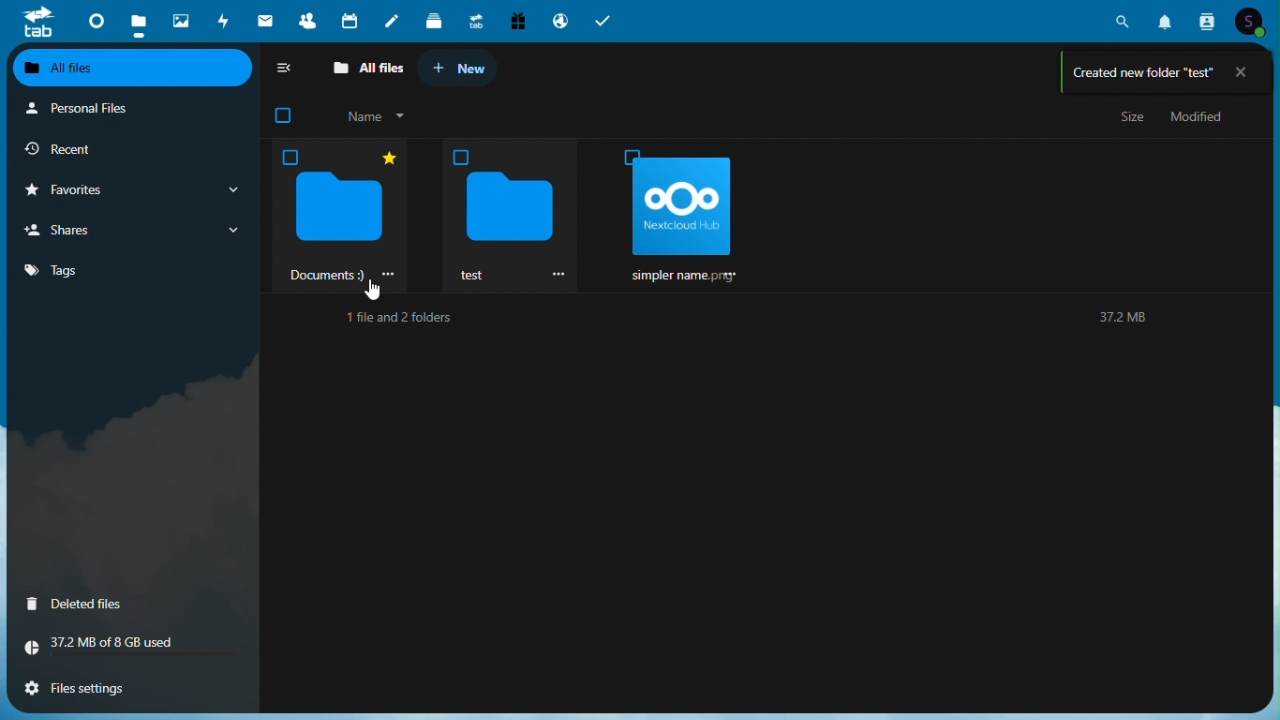 This screenshot has height=720, width=1280. I want to click on All files, so click(128, 67).